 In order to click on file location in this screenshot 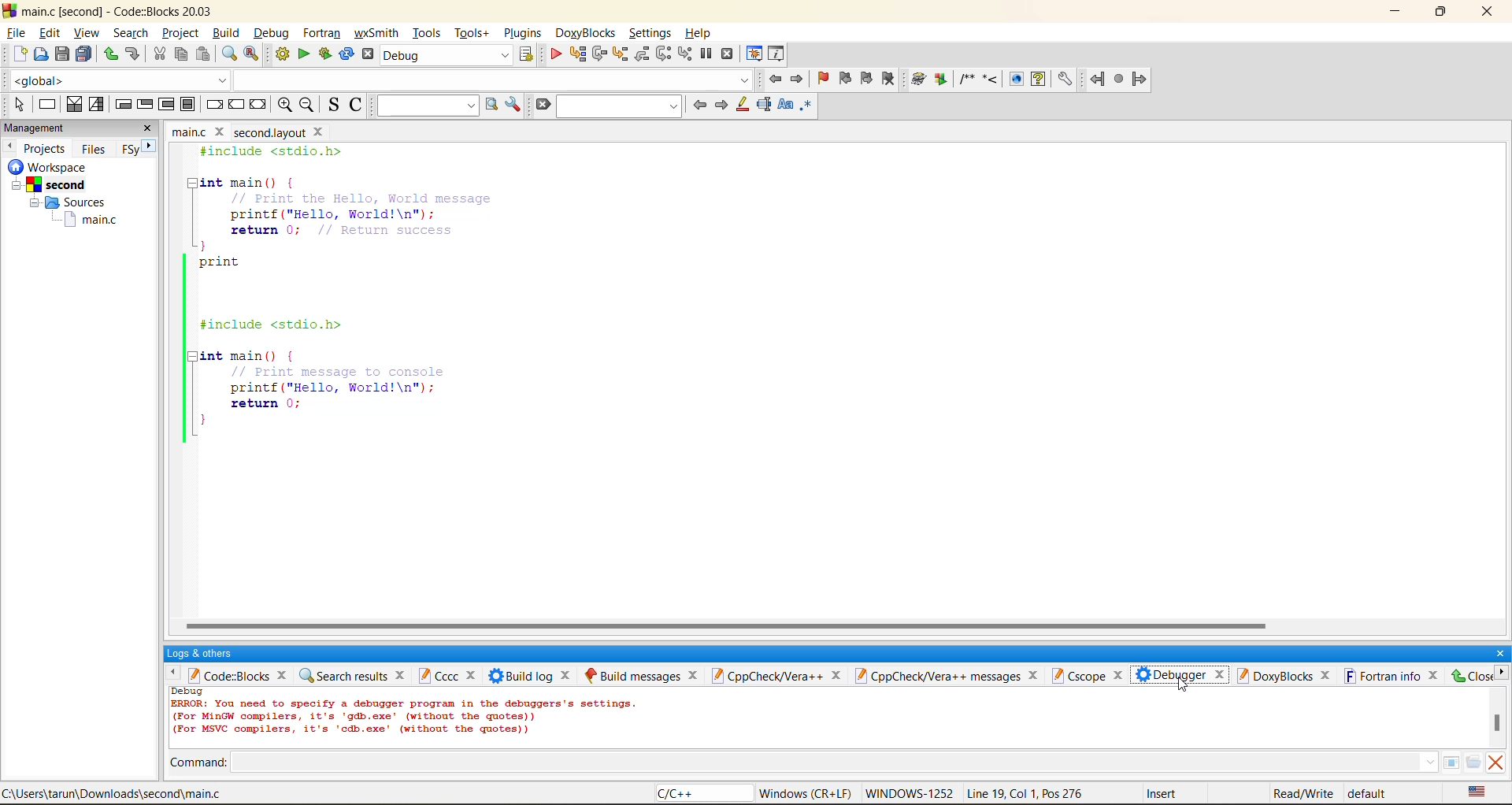, I will do `click(117, 793)`.